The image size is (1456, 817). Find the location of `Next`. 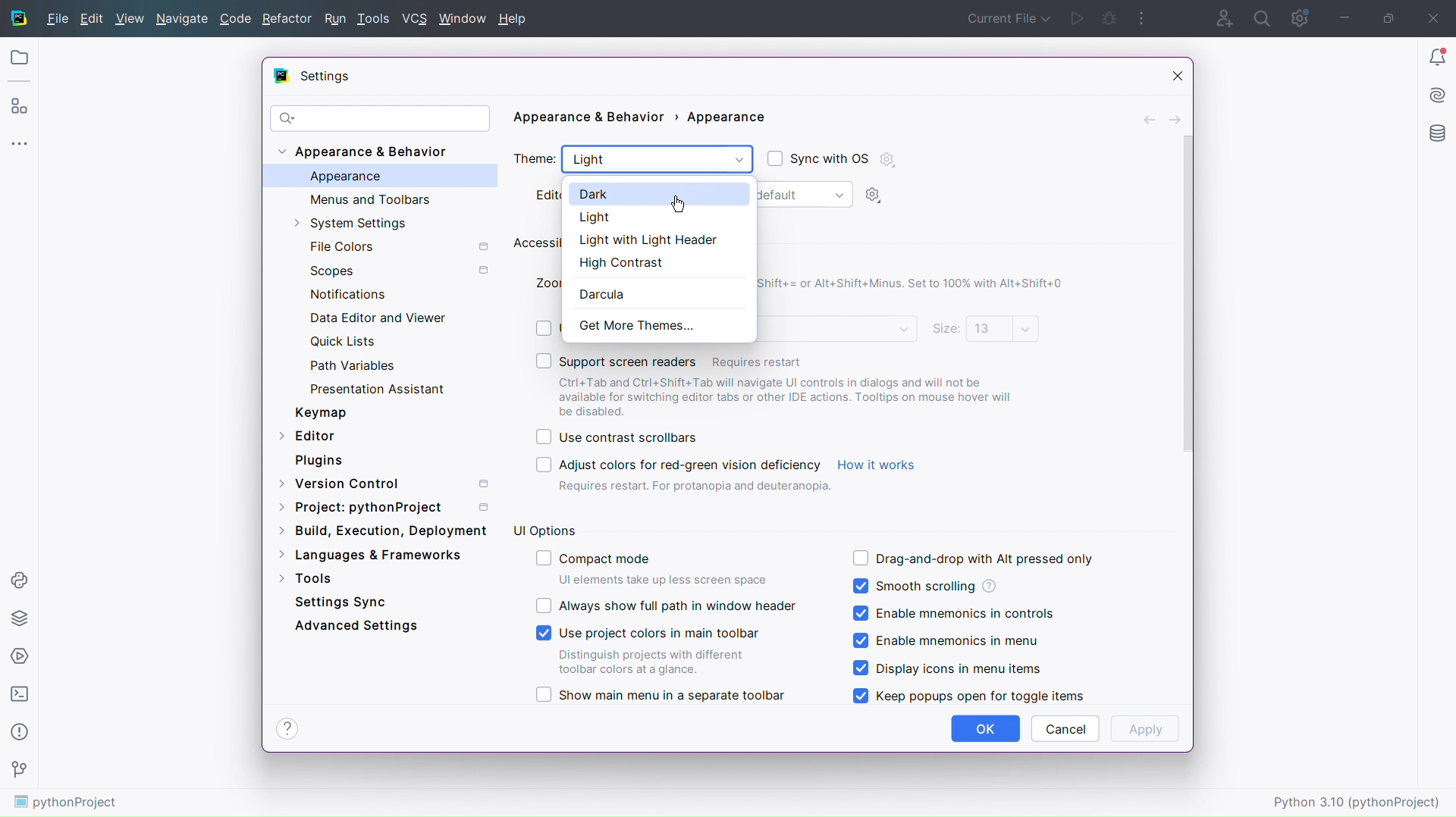

Next is located at coordinates (1176, 118).